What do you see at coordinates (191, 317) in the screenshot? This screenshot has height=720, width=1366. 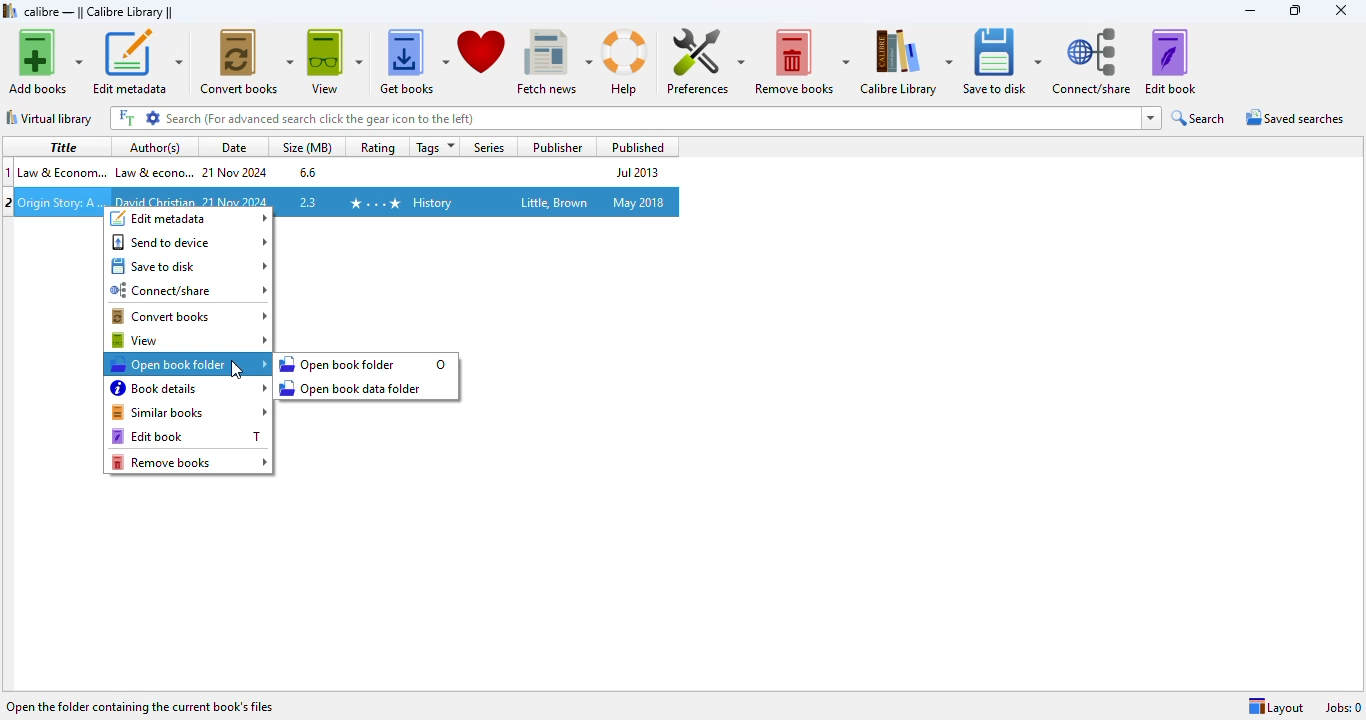 I see `convert books` at bounding box center [191, 317].